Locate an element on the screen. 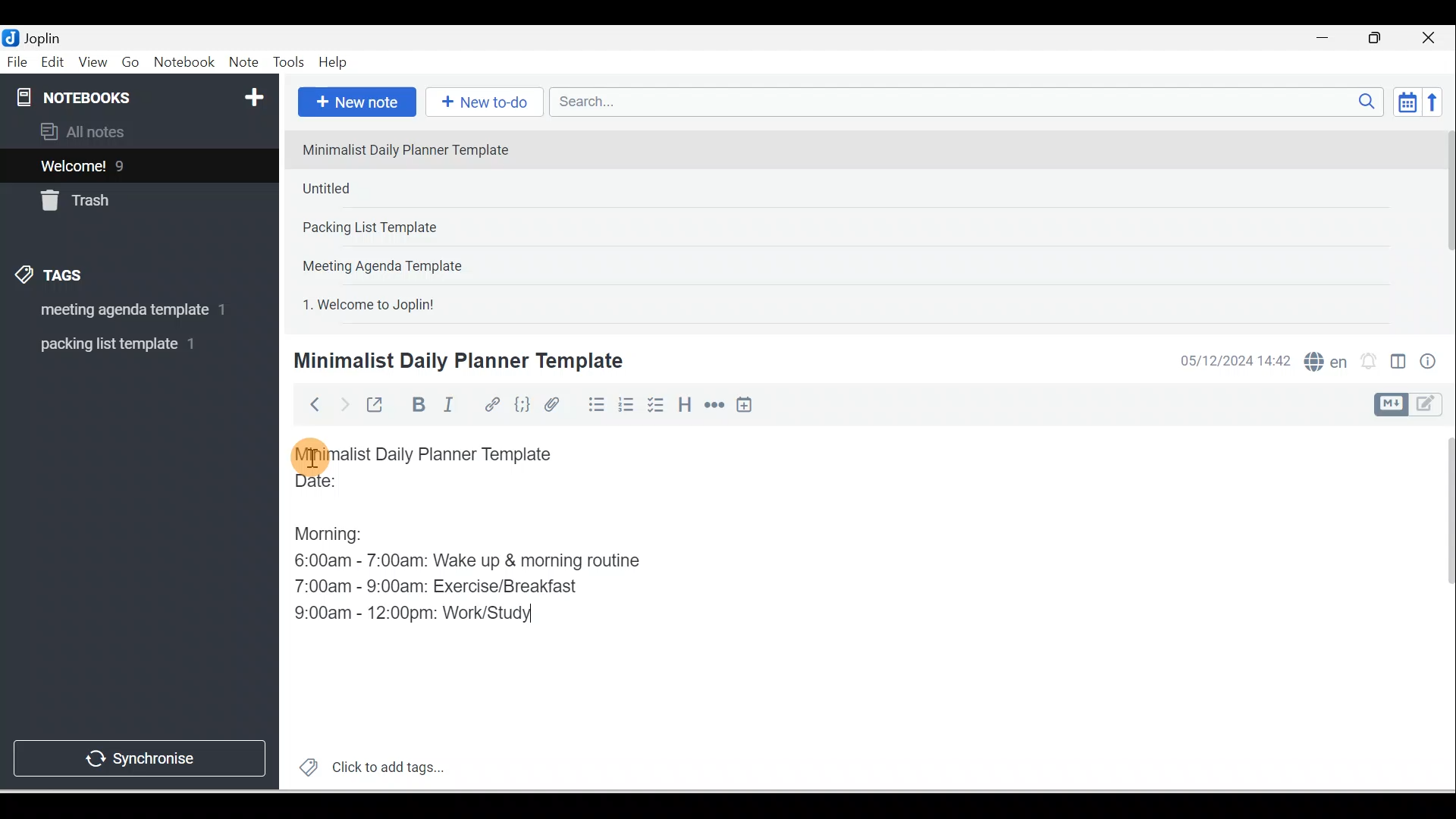  Note is located at coordinates (242, 63).